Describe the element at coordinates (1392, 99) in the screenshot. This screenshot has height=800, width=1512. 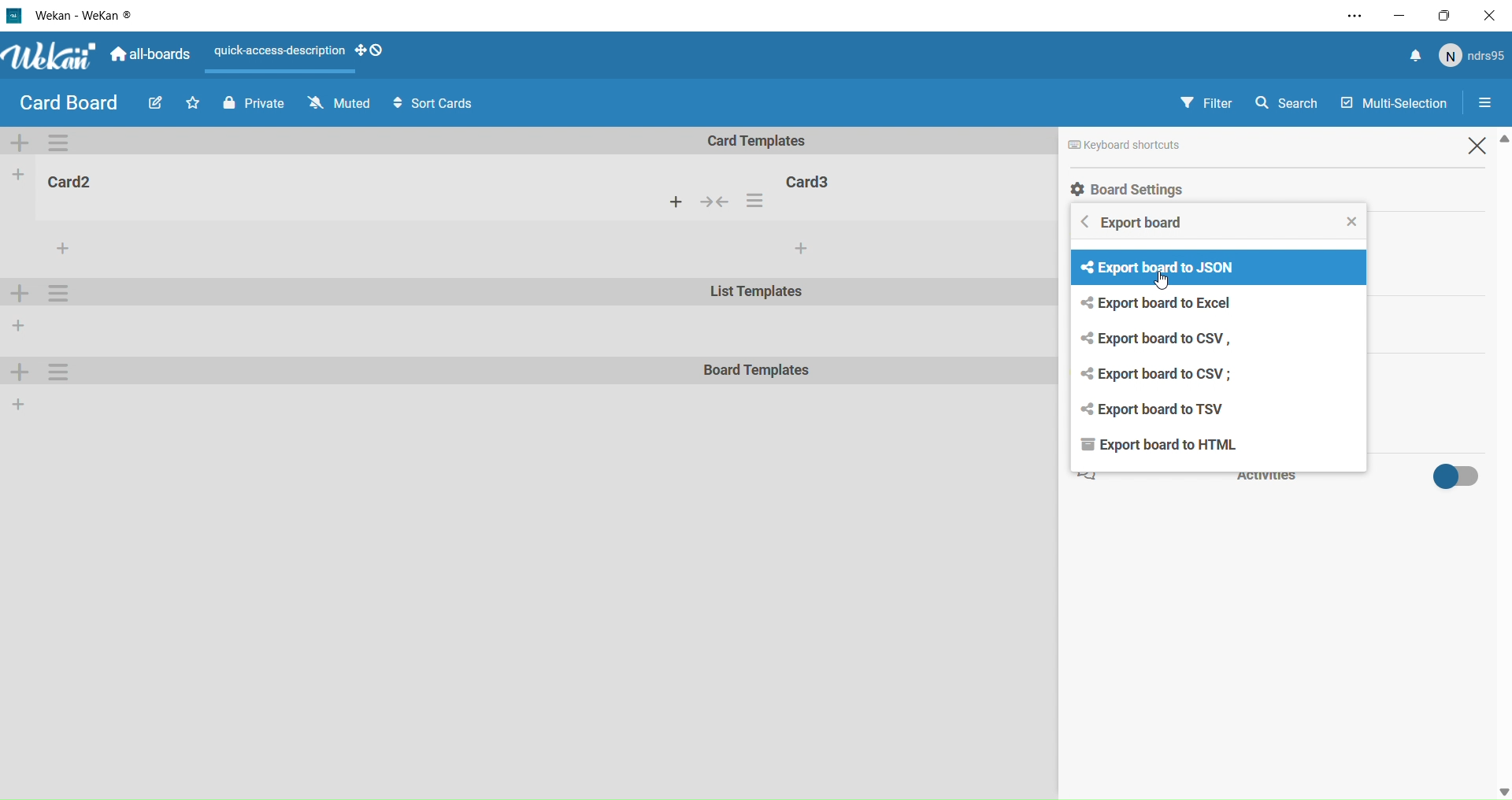
I see `Multi Selection` at that location.